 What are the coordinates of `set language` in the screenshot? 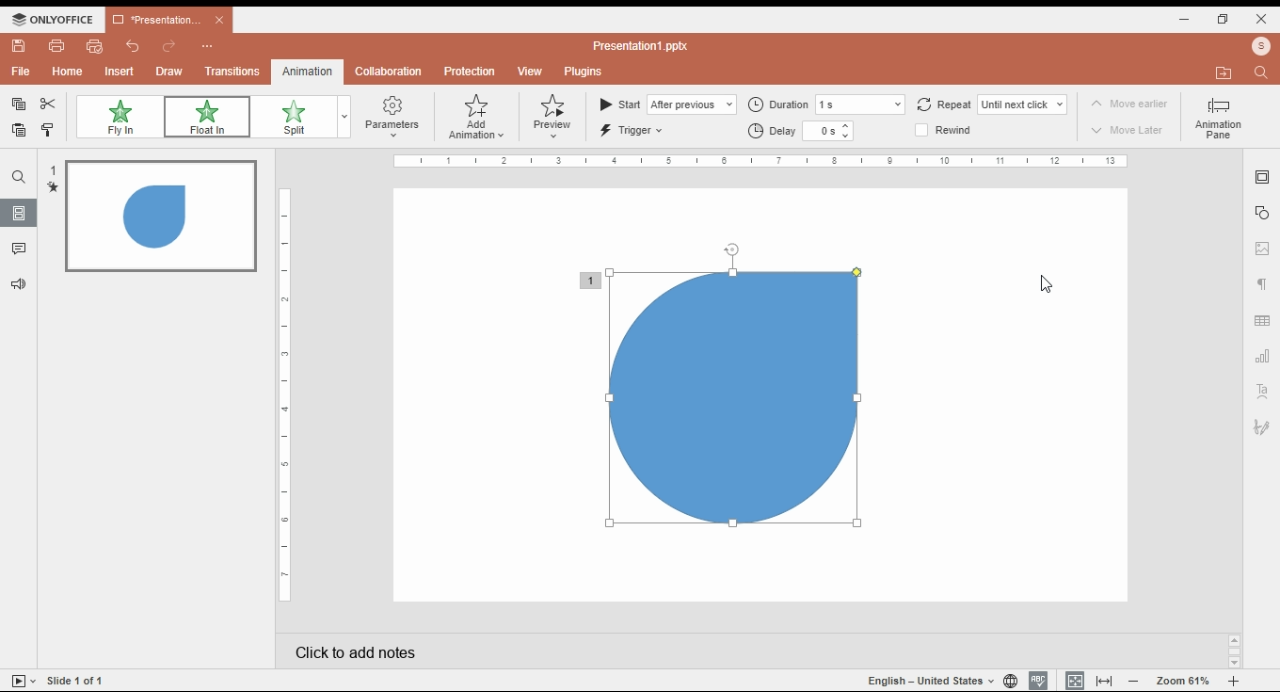 It's located at (1010, 681).